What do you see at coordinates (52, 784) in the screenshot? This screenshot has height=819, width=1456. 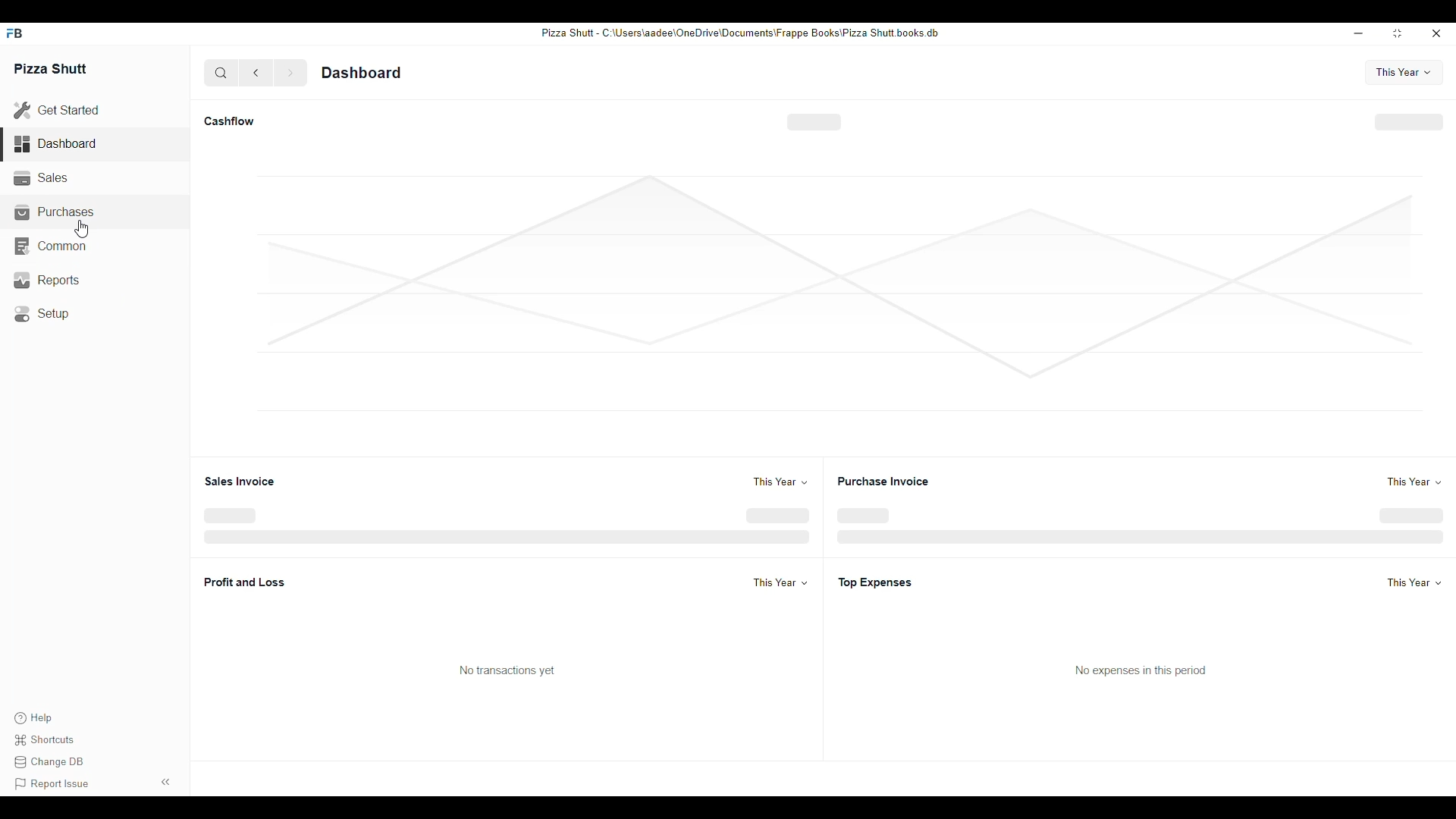 I see `Report issue` at bounding box center [52, 784].